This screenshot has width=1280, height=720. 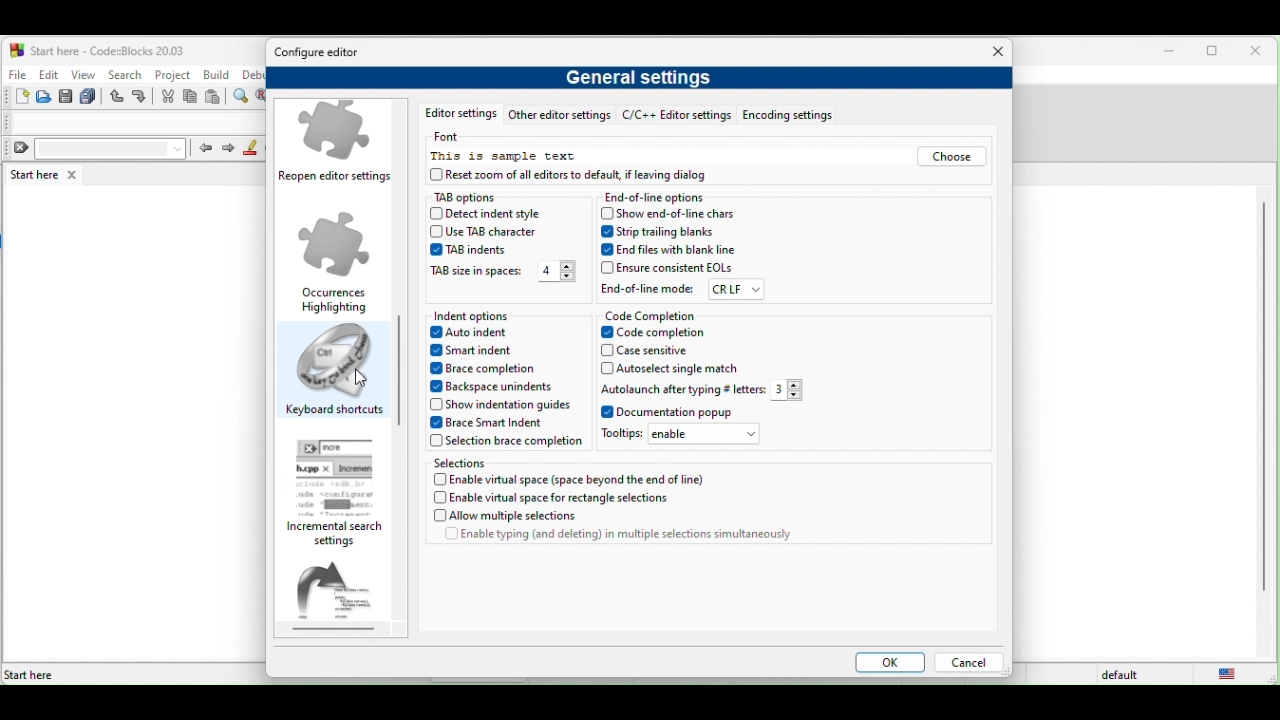 I want to click on search, so click(x=124, y=74).